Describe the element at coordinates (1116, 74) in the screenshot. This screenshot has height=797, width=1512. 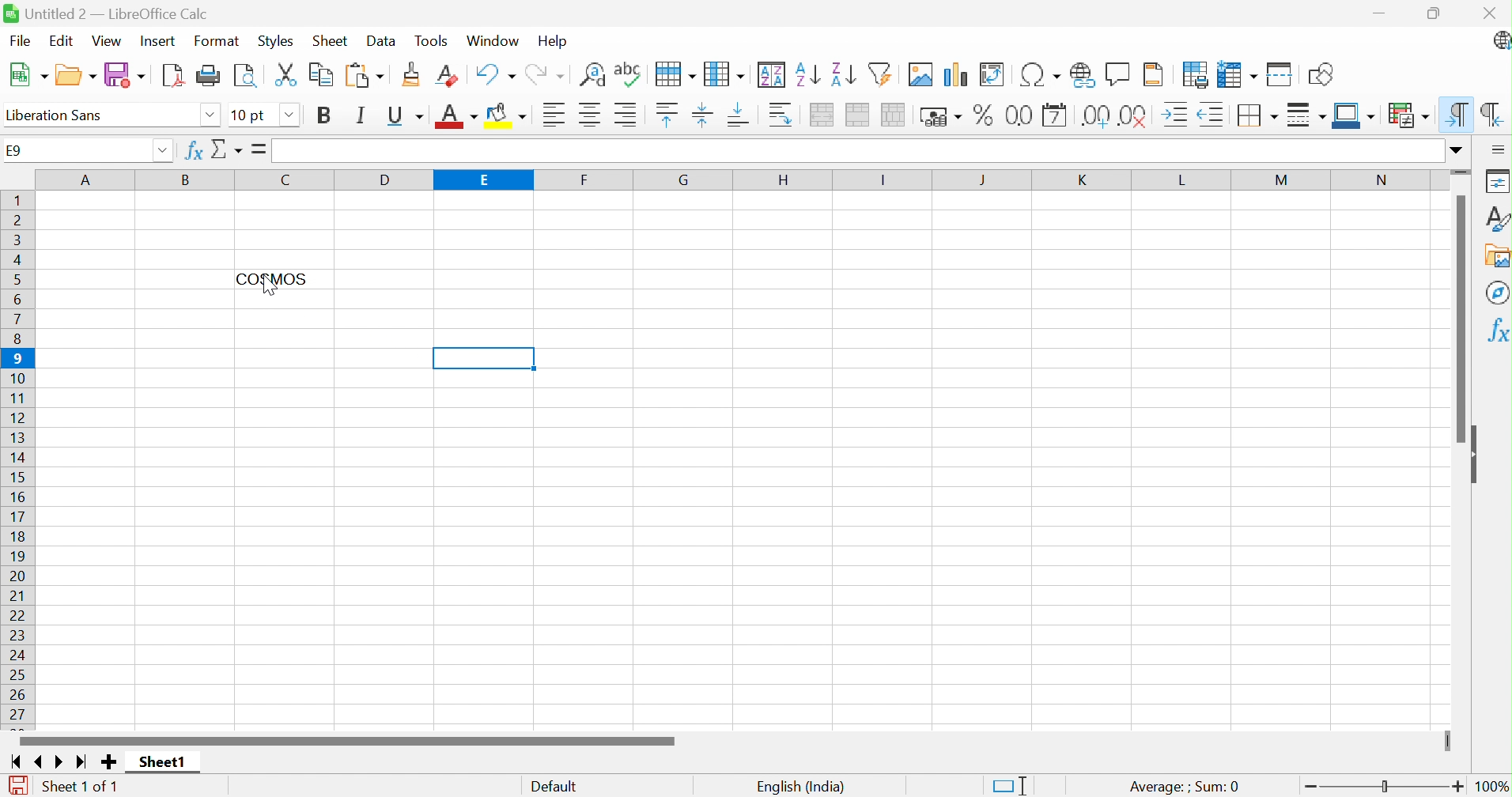
I see `Insert comment` at that location.